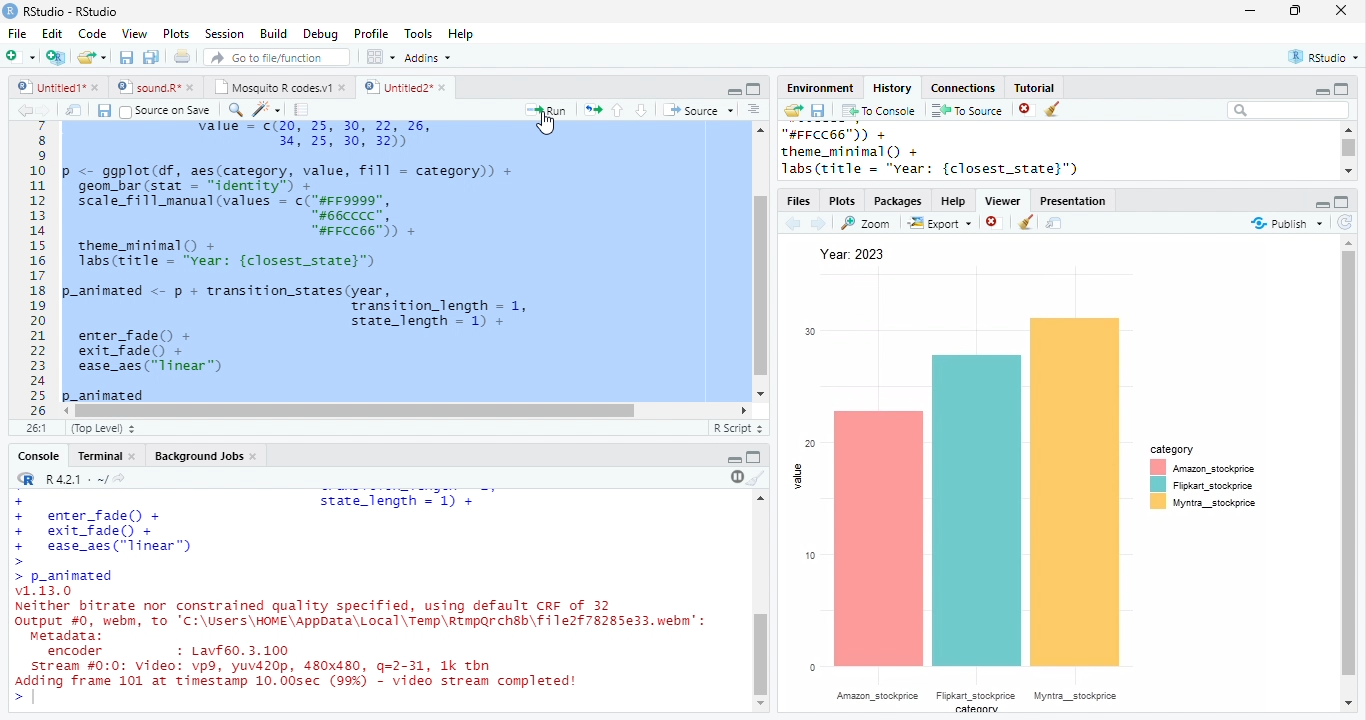 Image resolution: width=1366 pixels, height=720 pixels. I want to click on Tools, so click(418, 33).